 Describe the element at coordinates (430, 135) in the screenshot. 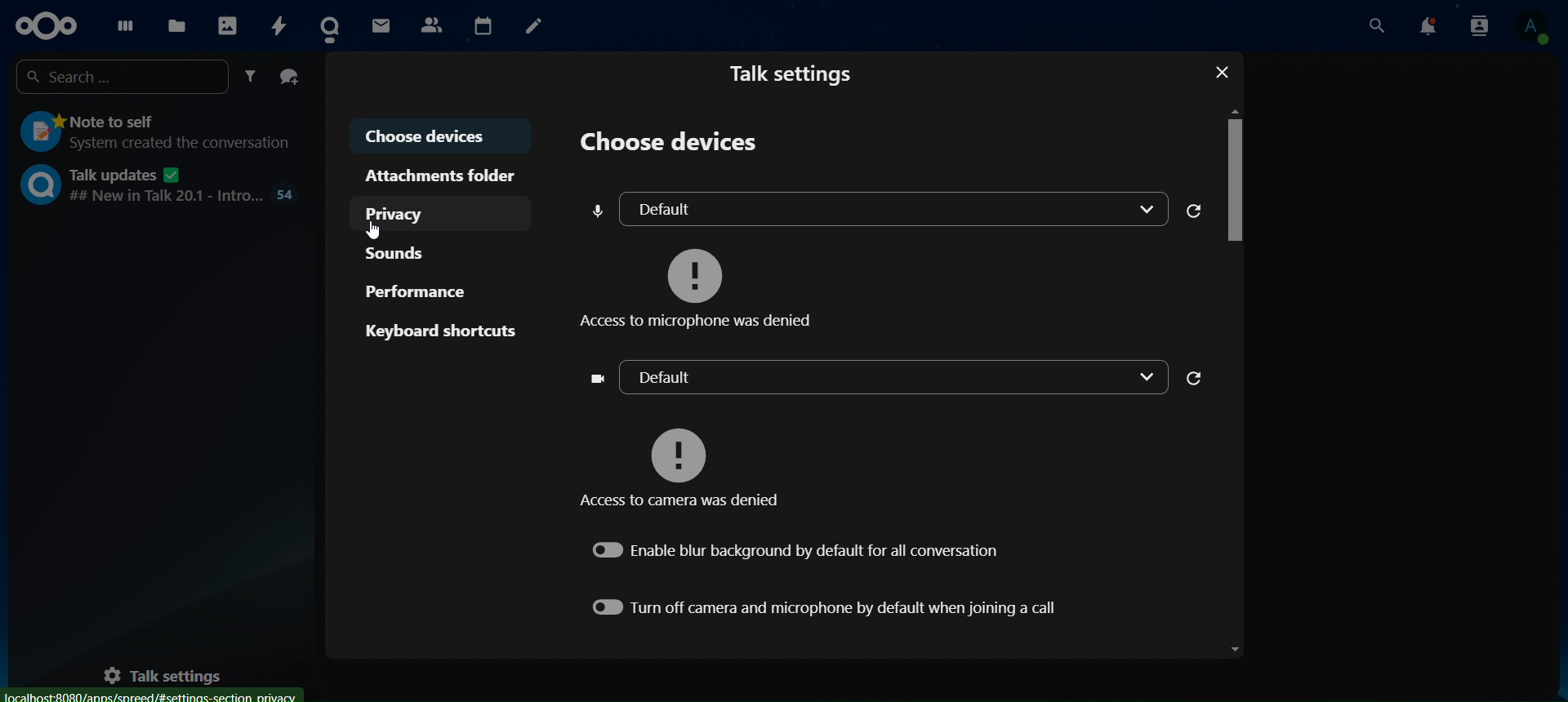

I see `choose devices` at that location.